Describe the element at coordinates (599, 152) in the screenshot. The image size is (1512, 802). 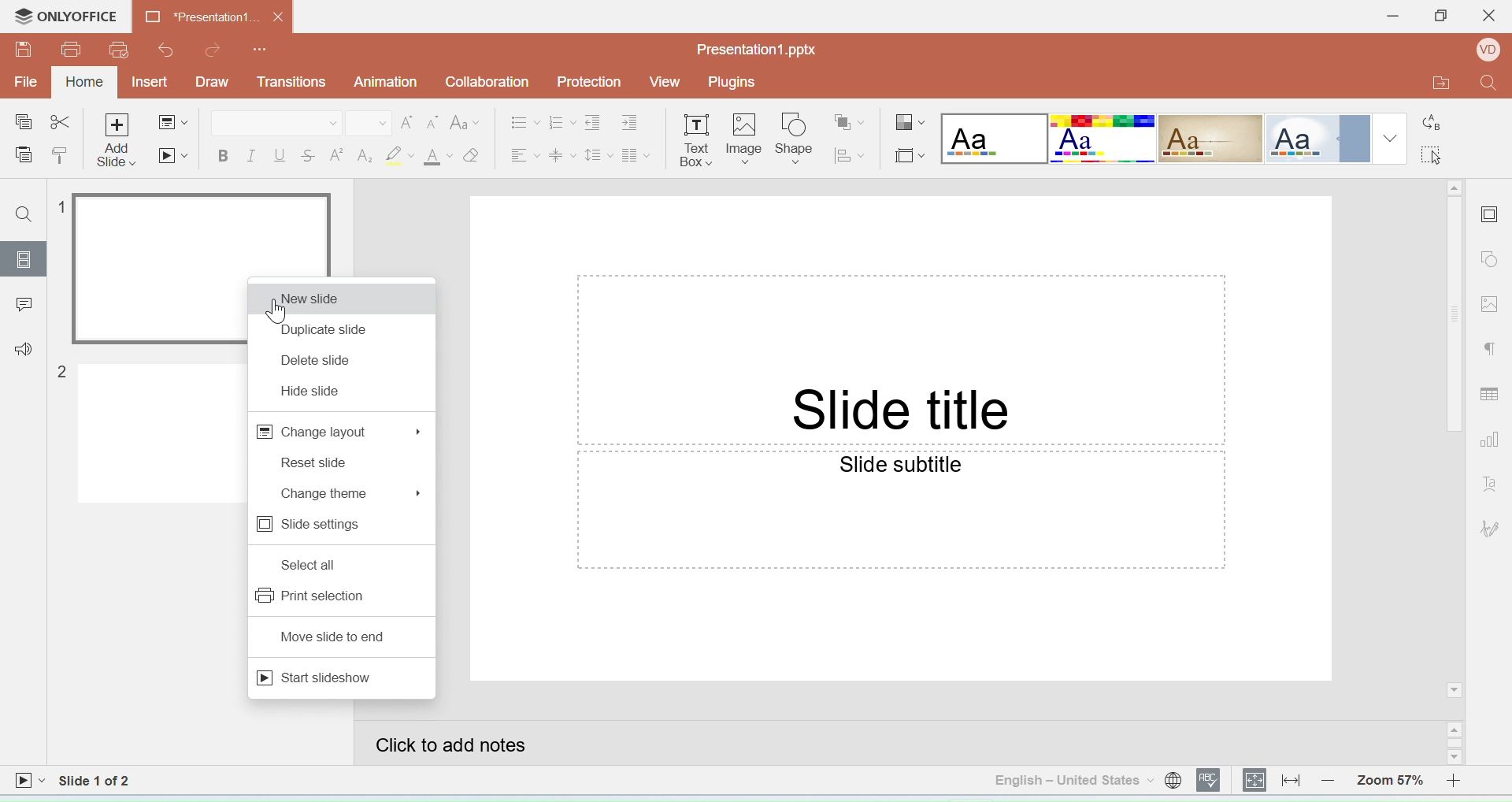
I see `Line spacing` at that location.